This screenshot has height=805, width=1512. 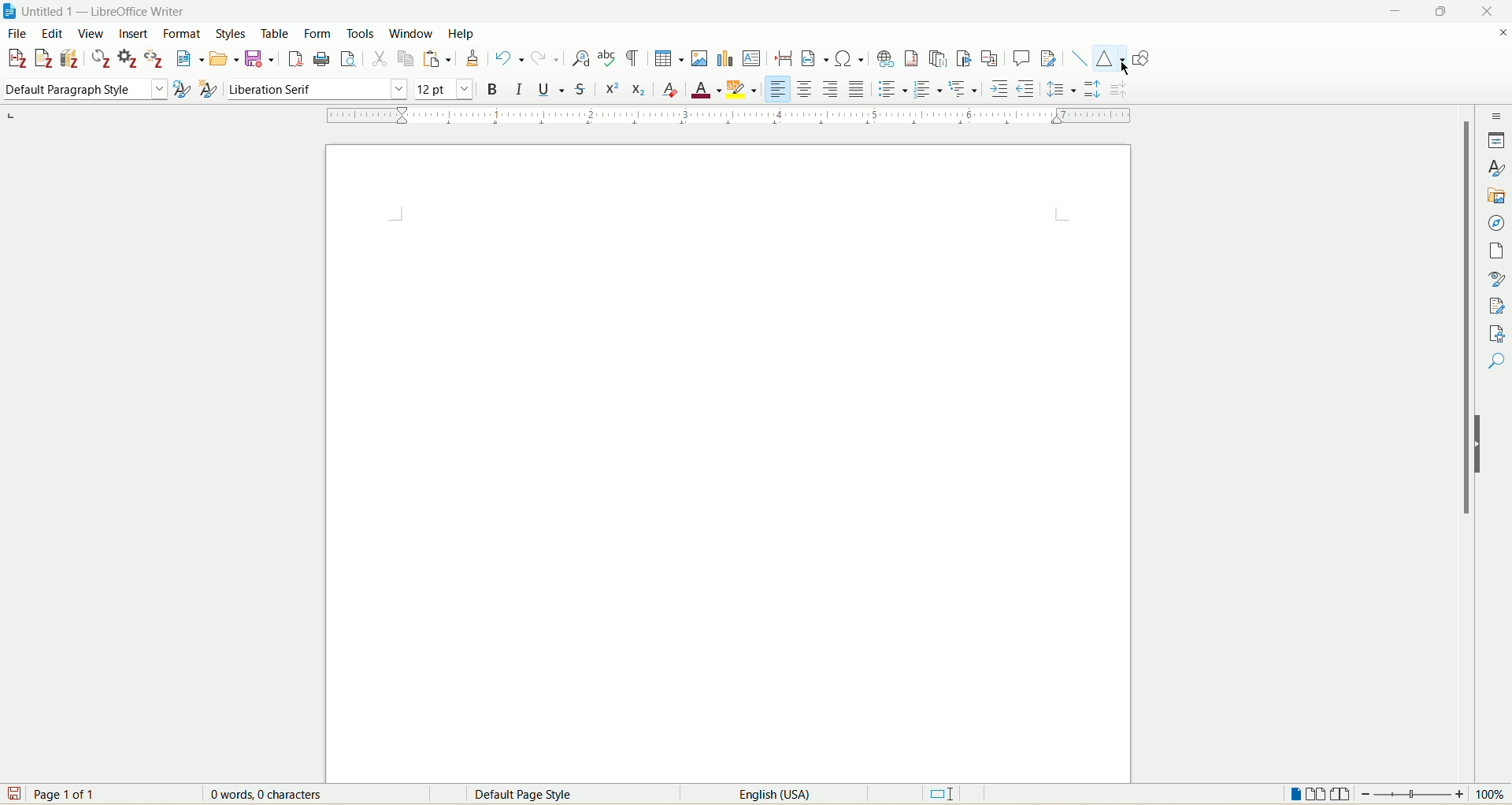 I want to click on insert bookmark, so click(x=966, y=59).